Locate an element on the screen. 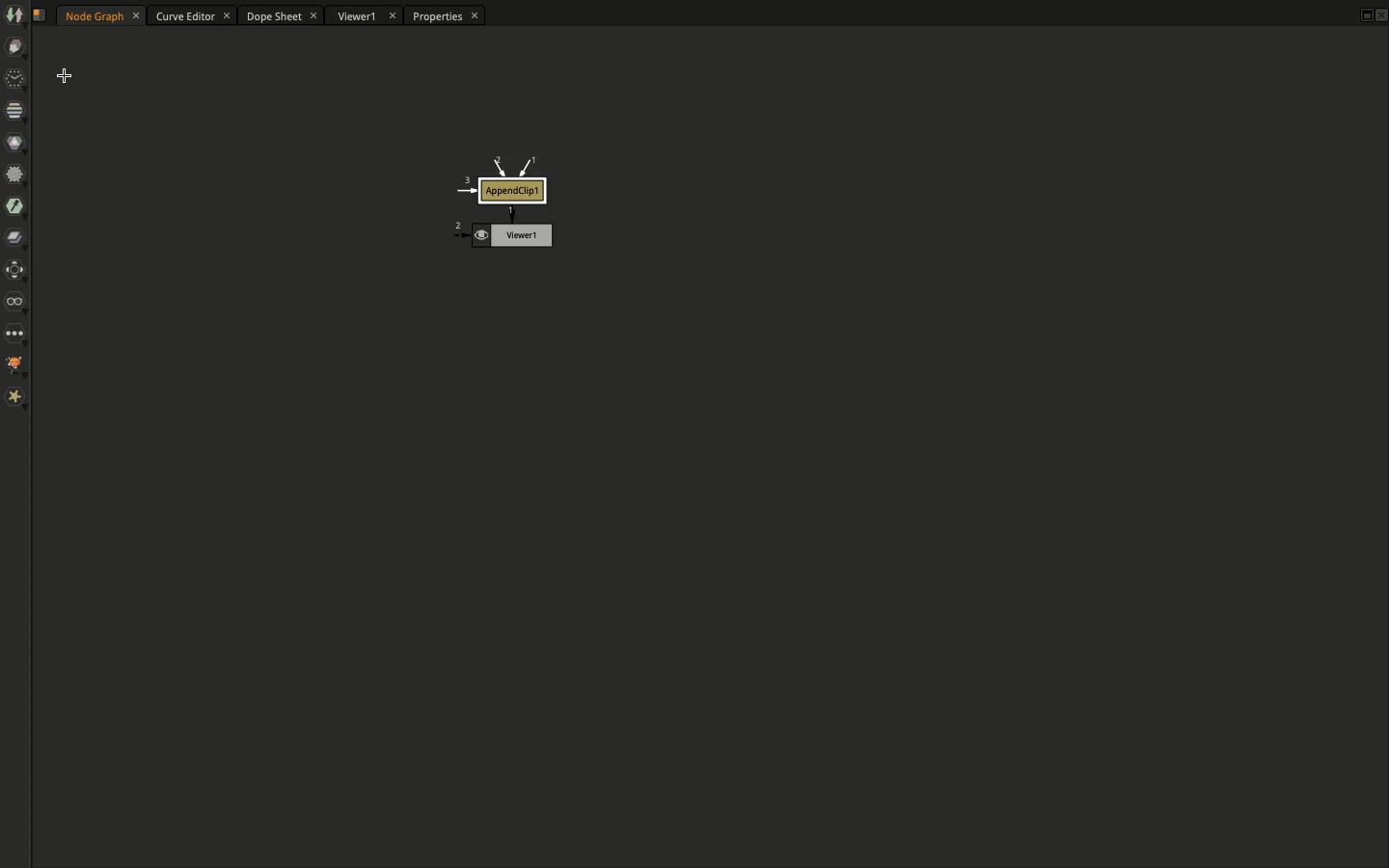  Select cursor is located at coordinates (68, 75).